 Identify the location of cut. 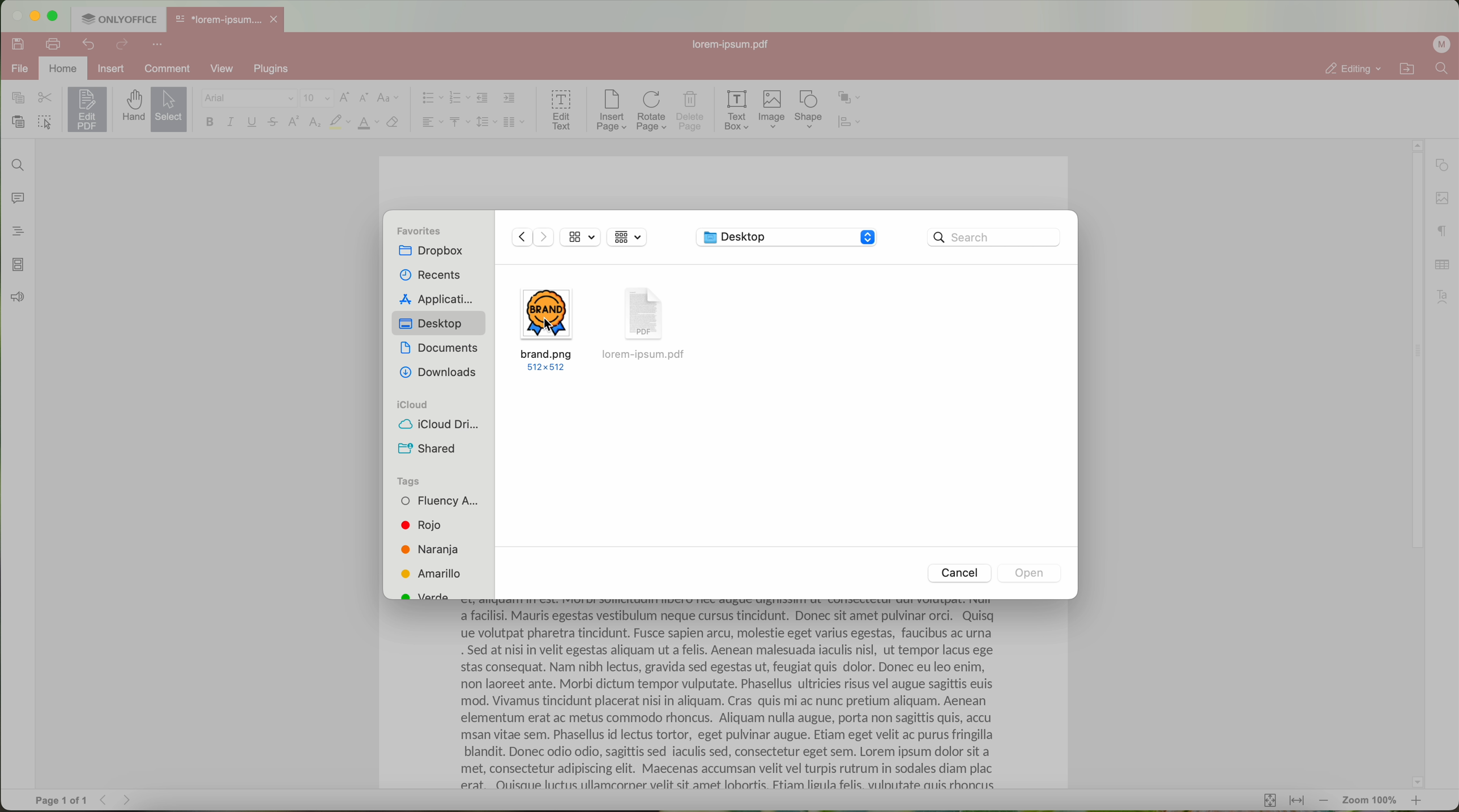
(45, 98).